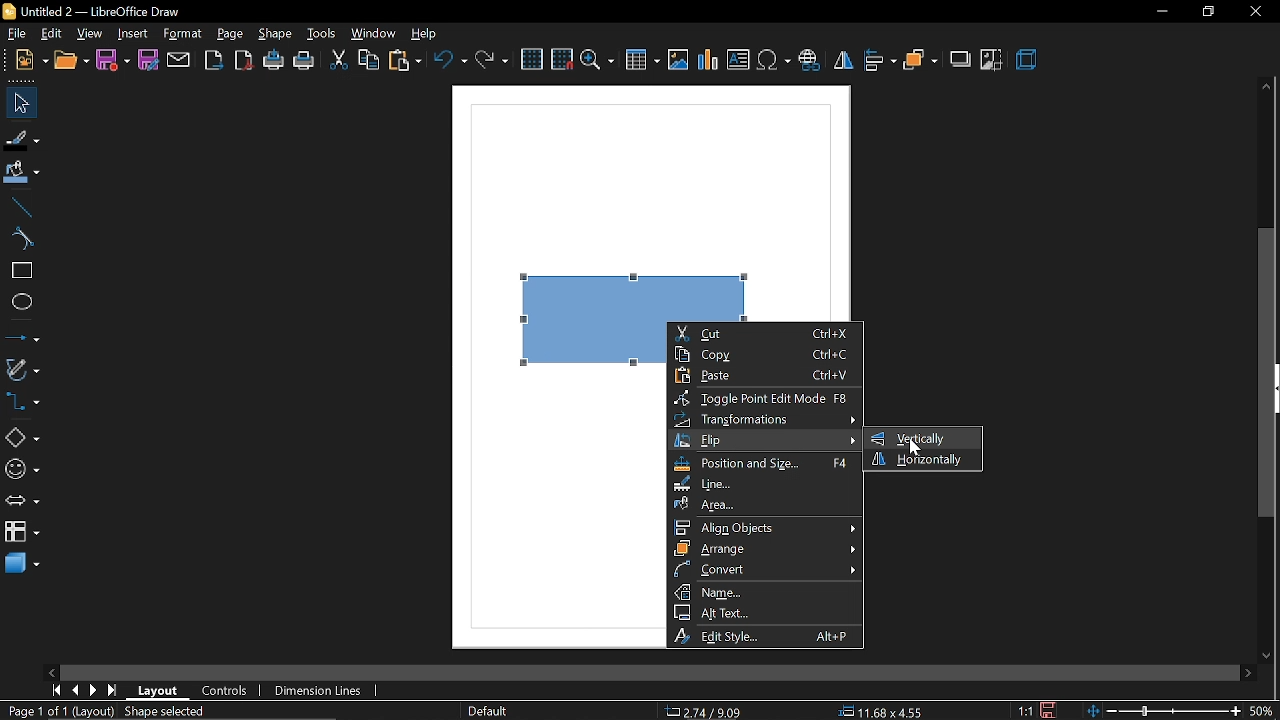 The height and width of the screenshot is (720, 1280). Describe the element at coordinates (229, 691) in the screenshot. I see `controls` at that location.